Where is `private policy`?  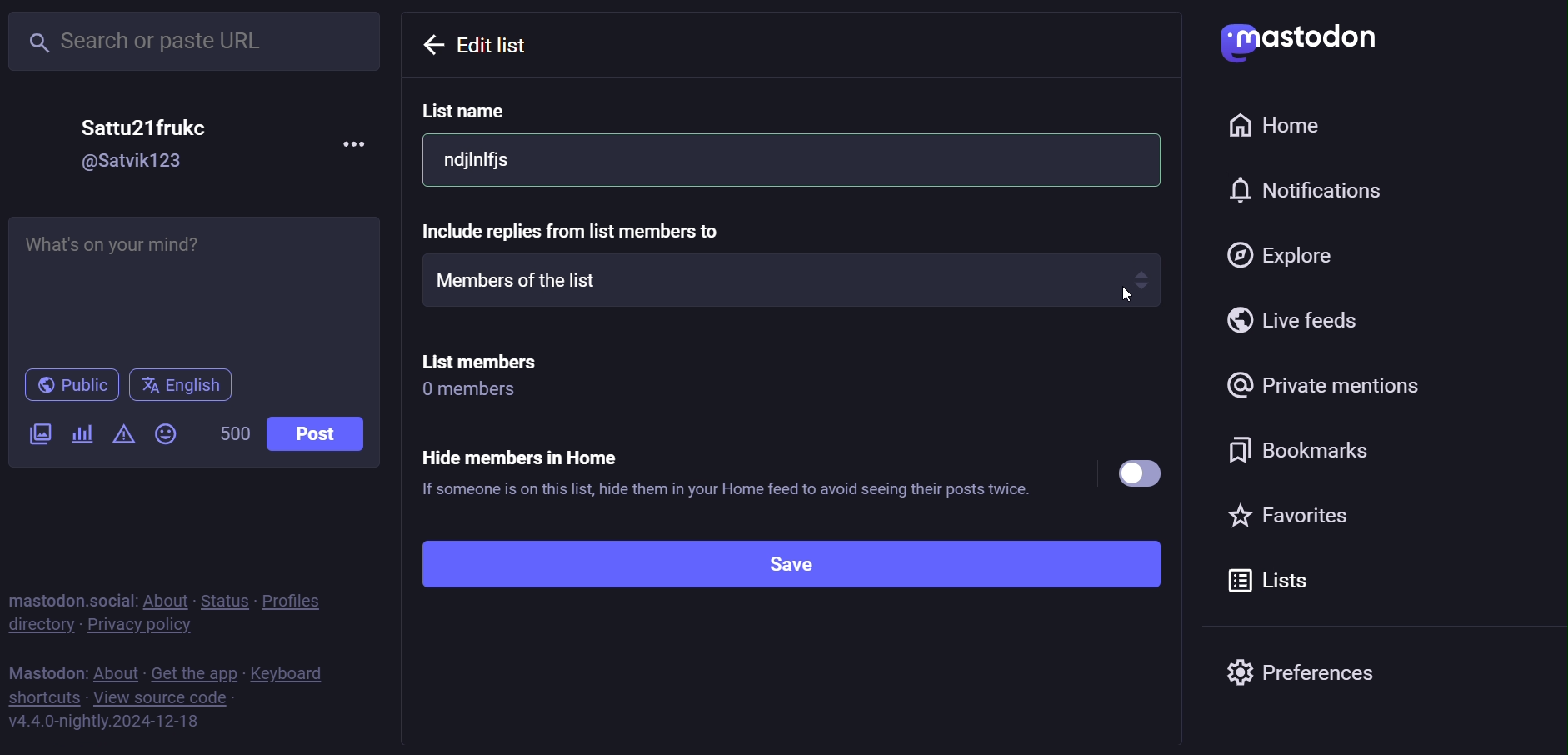 private policy is located at coordinates (144, 626).